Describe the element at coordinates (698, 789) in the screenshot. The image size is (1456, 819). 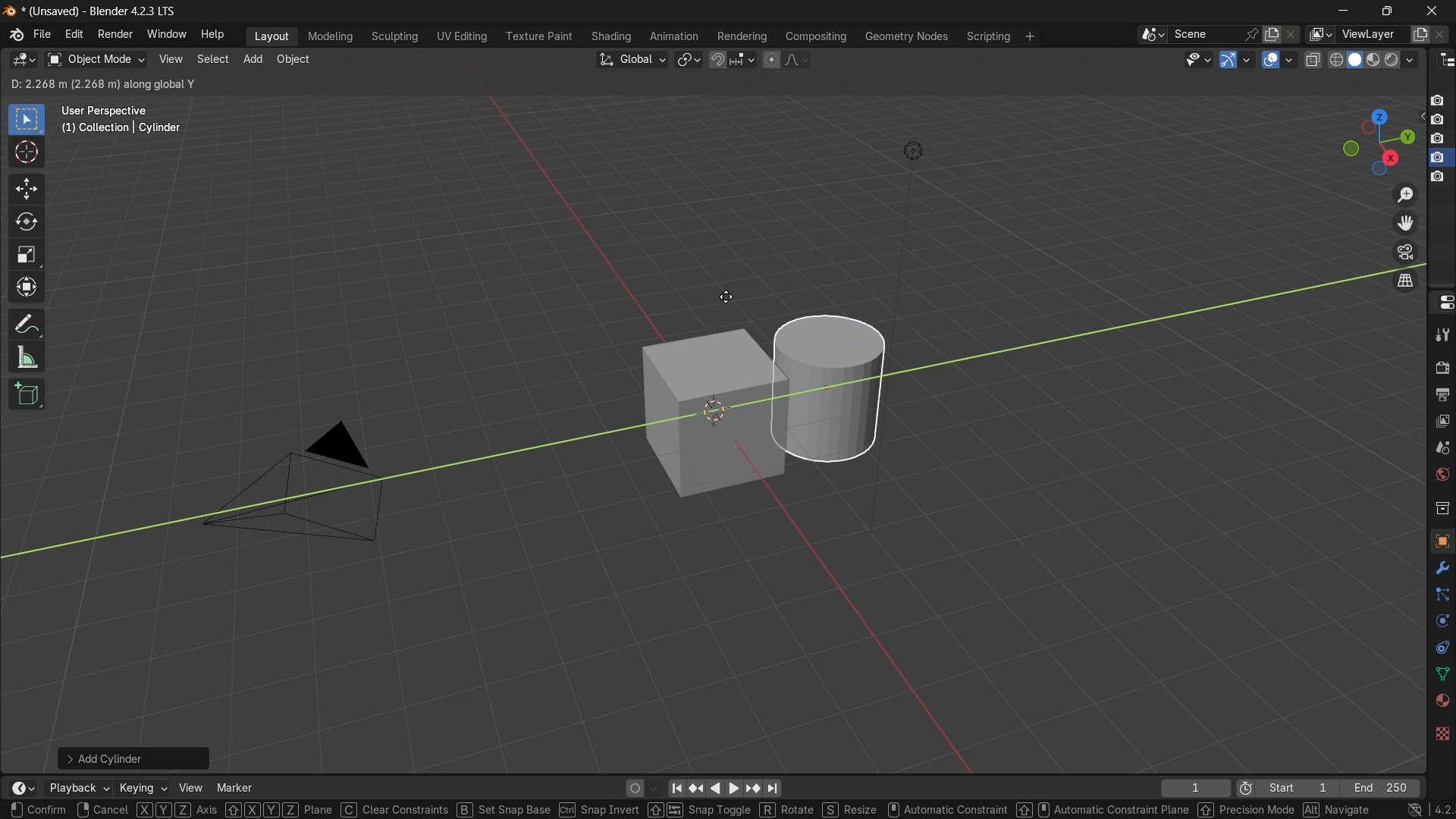
I see `reset` at that location.